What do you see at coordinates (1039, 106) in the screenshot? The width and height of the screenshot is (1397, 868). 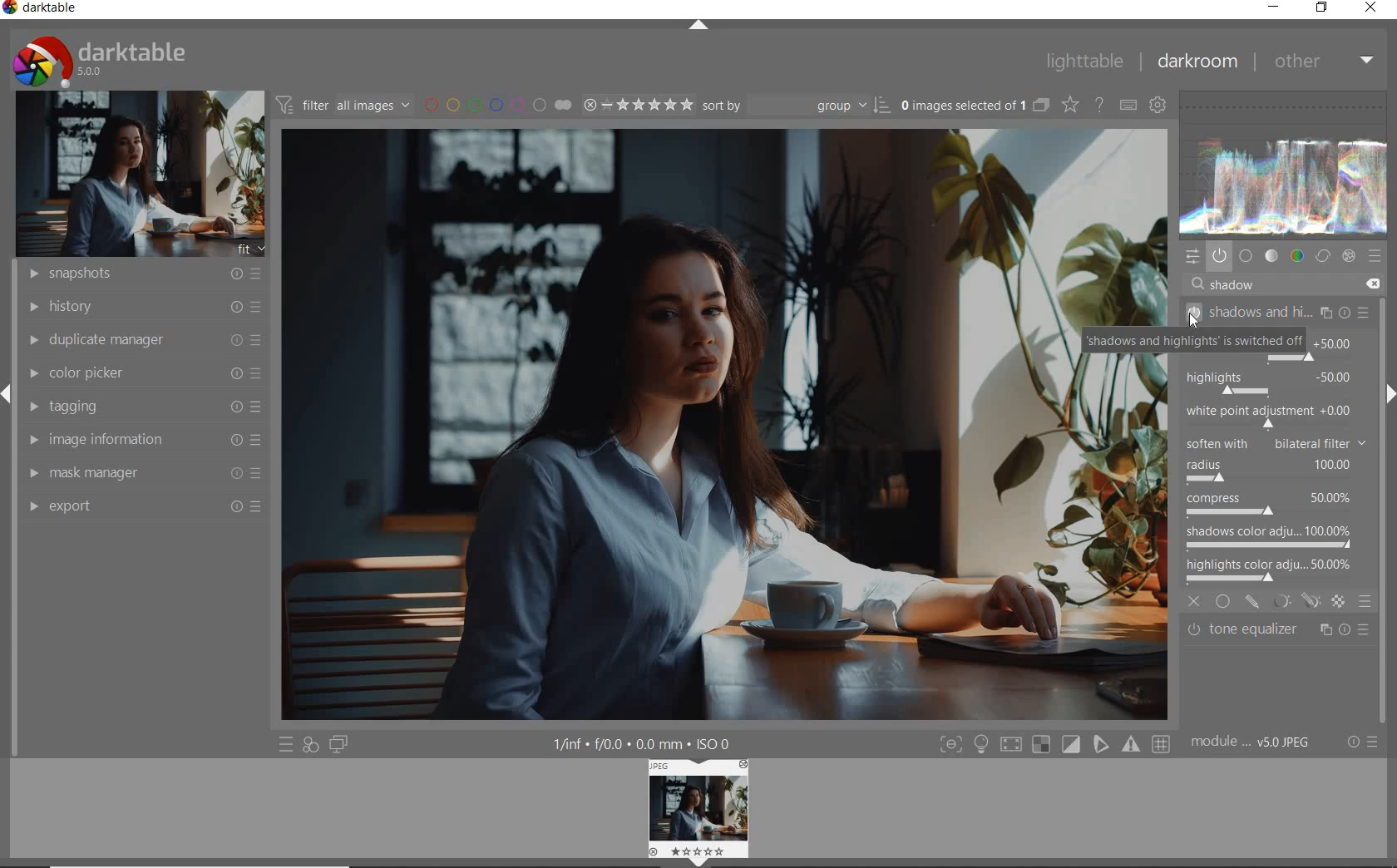 I see `collapse grouped images` at bounding box center [1039, 106].